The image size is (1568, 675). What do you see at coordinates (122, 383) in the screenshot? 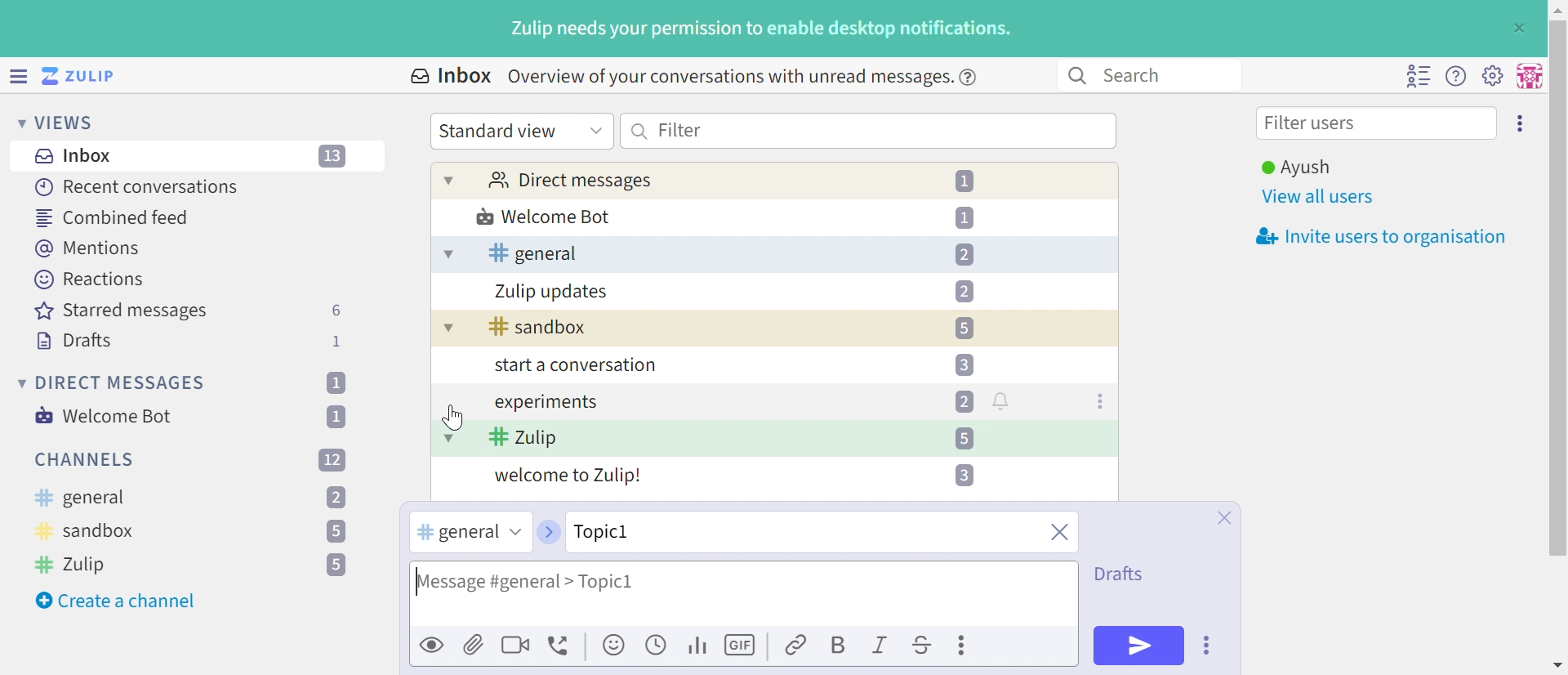
I see `DIRECT MESSAGES` at bounding box center [122, 383].